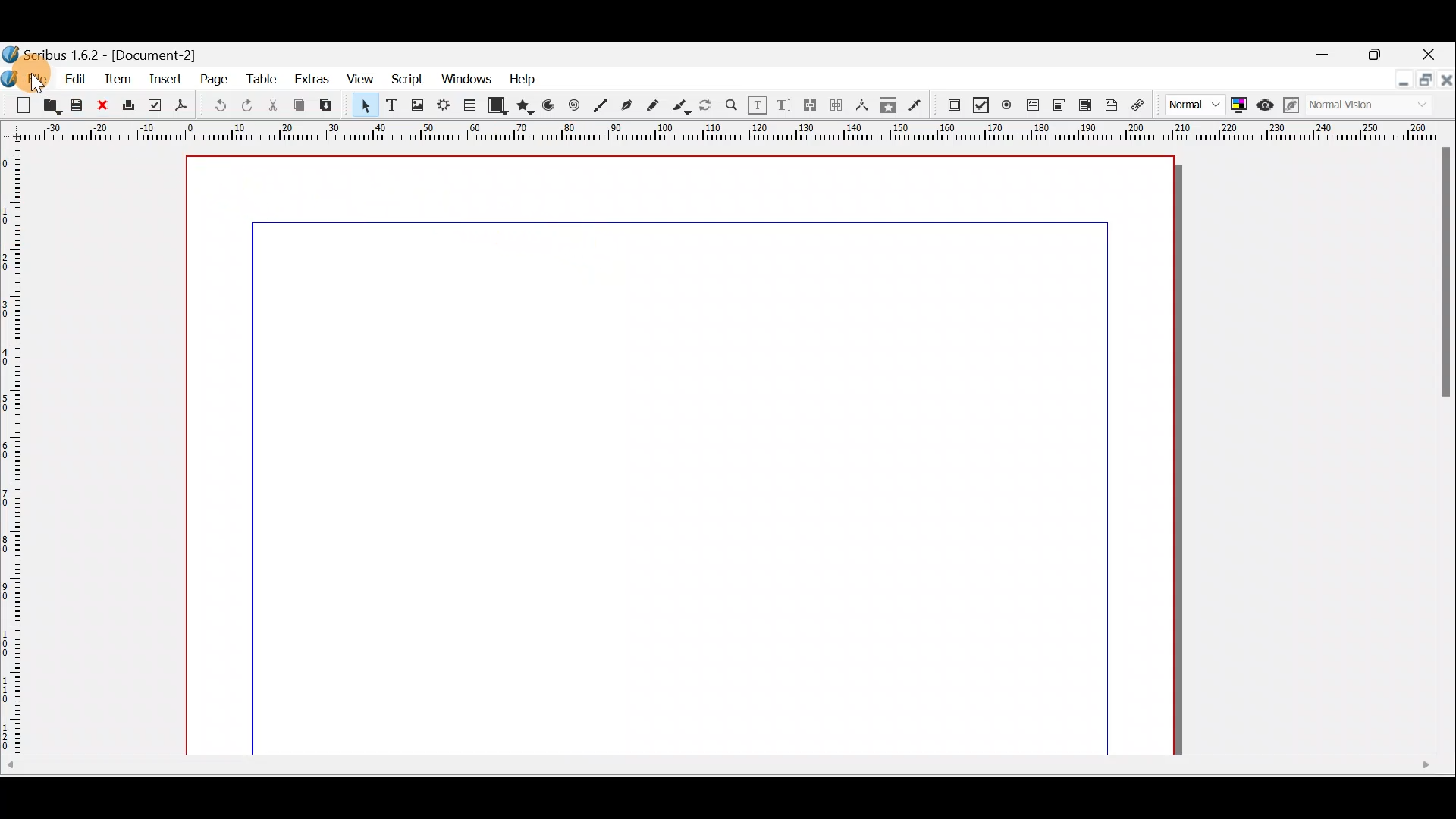 The height and width of the screenshot is (819, 1456). Describe the element at coordinates (953, 105) in the screenshot. I see `PDF Push button` at that location.